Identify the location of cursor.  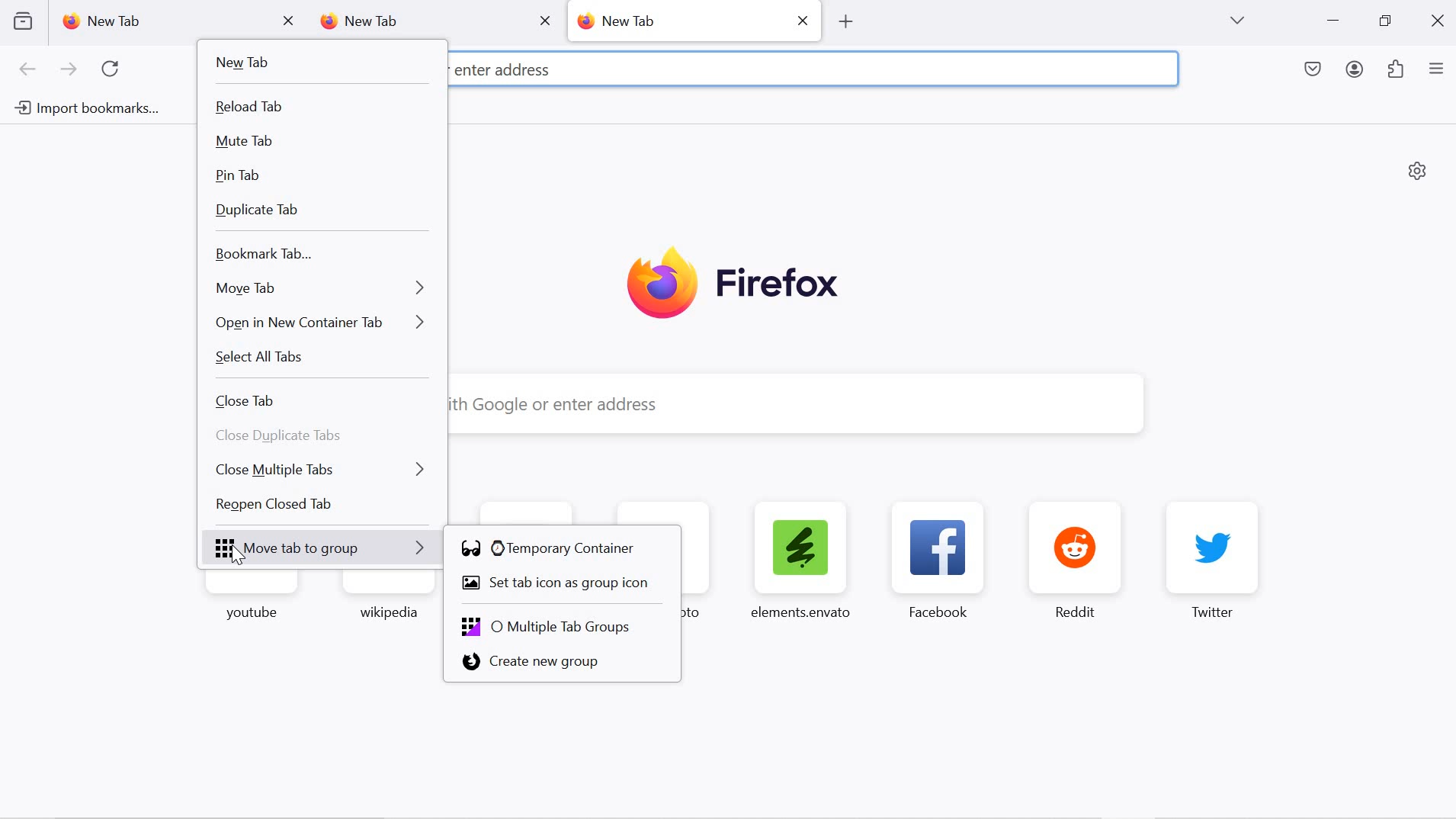
(236, 556).